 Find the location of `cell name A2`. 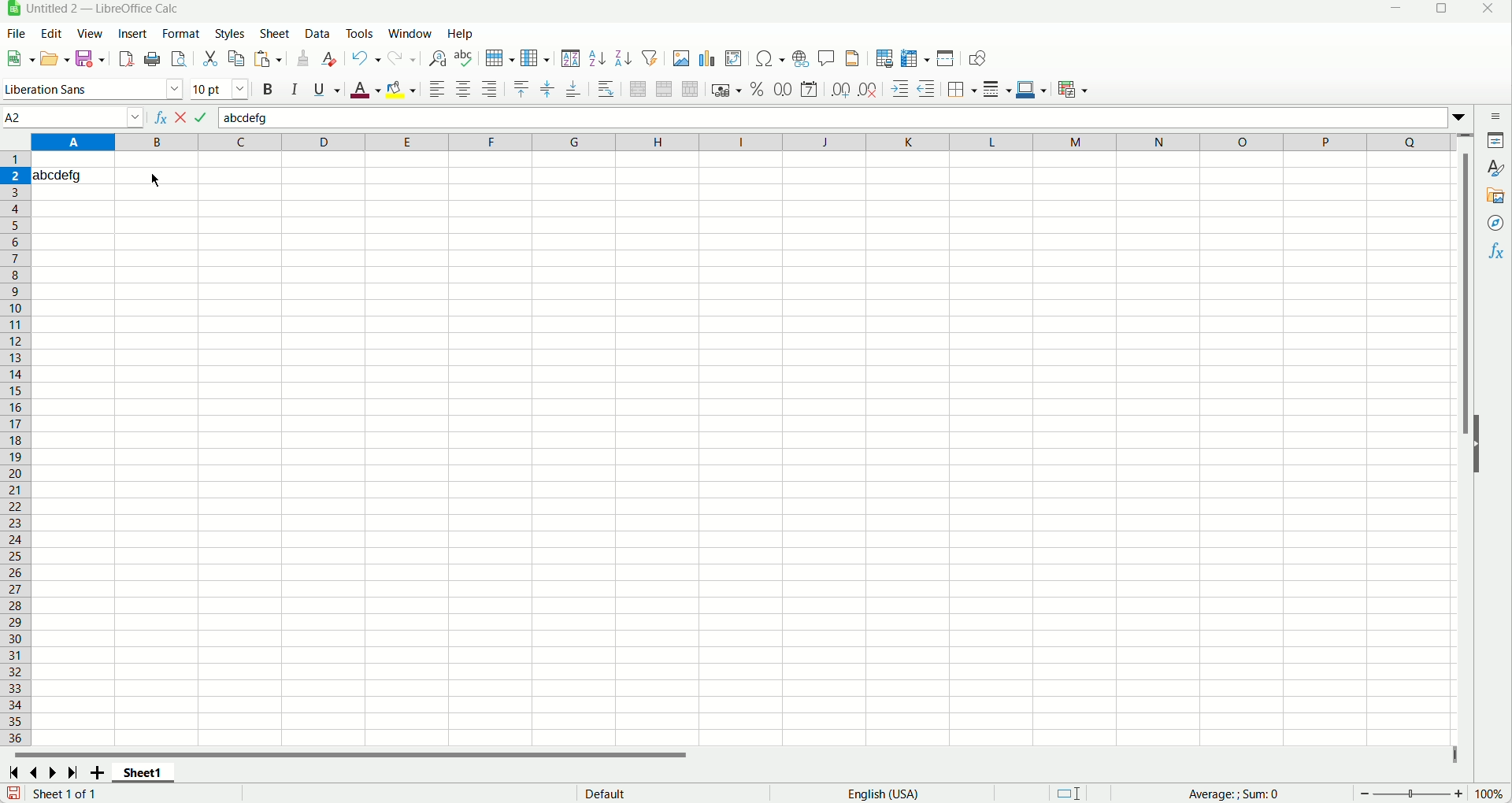

cell name A2 is located at coordinates (72, 115).